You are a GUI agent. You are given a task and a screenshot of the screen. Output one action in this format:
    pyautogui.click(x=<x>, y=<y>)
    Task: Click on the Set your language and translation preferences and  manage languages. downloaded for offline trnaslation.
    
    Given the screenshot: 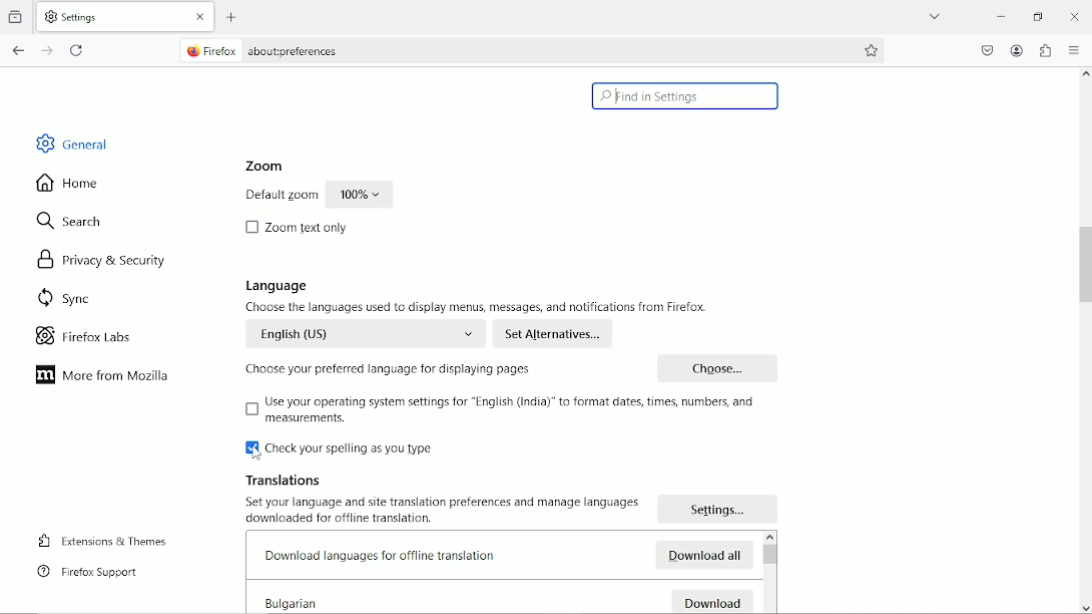 What is the action you would take?
    pyautogui.click(x=447, y=511)
    